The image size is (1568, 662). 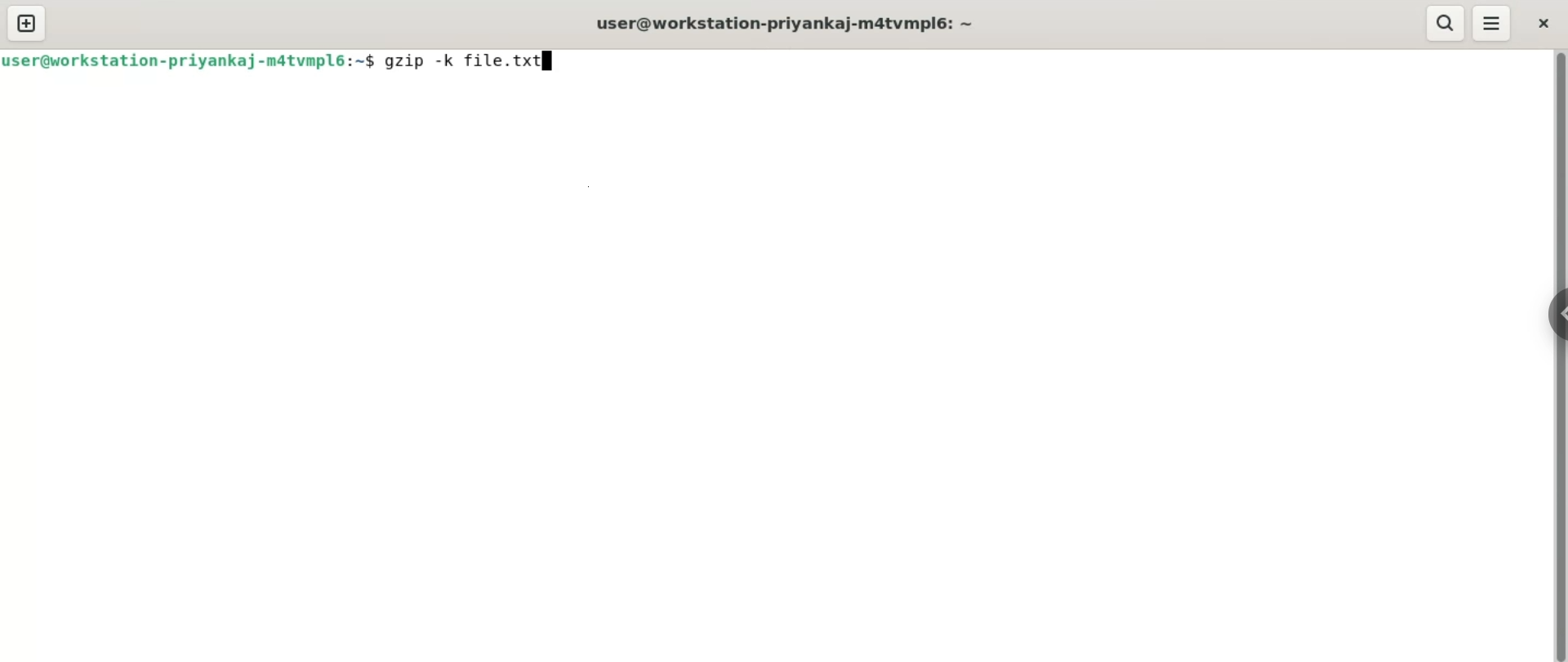 What do you see at coordinates (1444, 22) in the screenshot?
I see `search` at bounding box center [1444, 22].